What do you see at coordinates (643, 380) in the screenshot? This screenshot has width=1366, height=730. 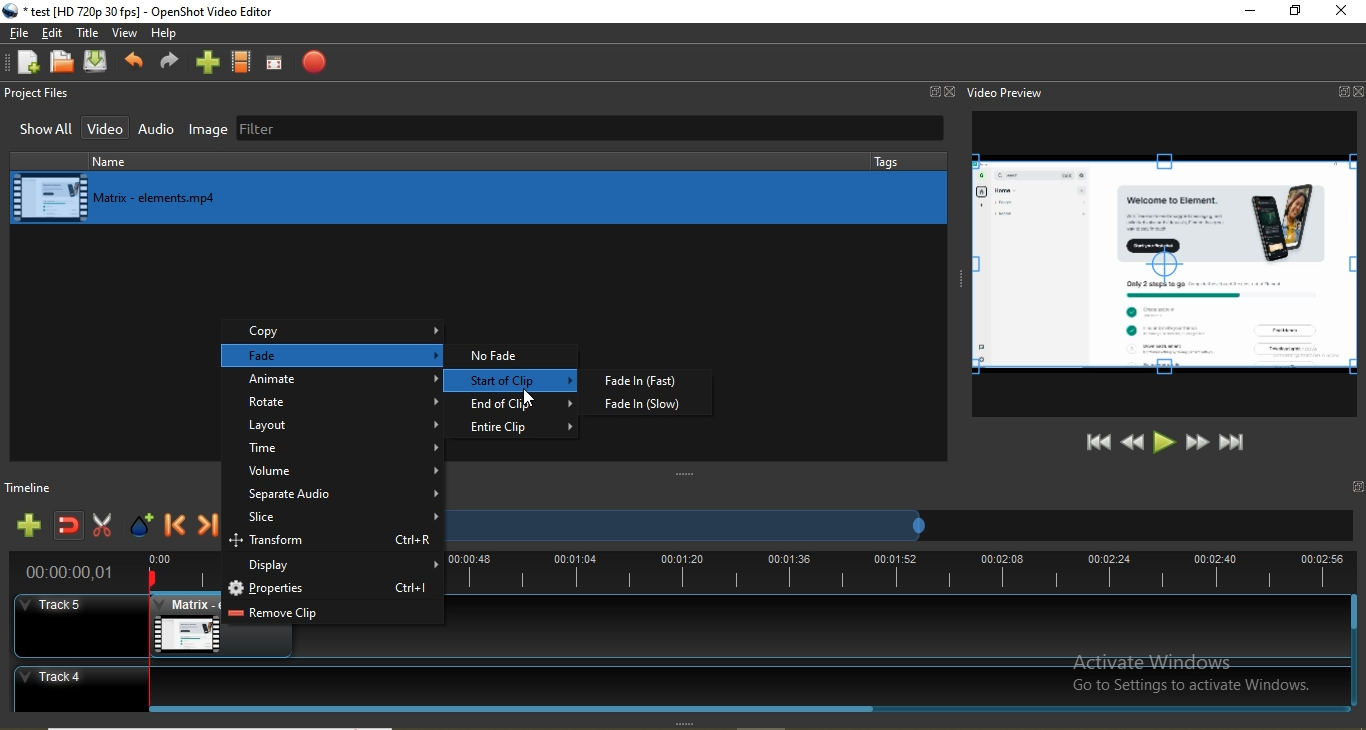 I see `fade in (fast)` at bounding box center [643, 380].